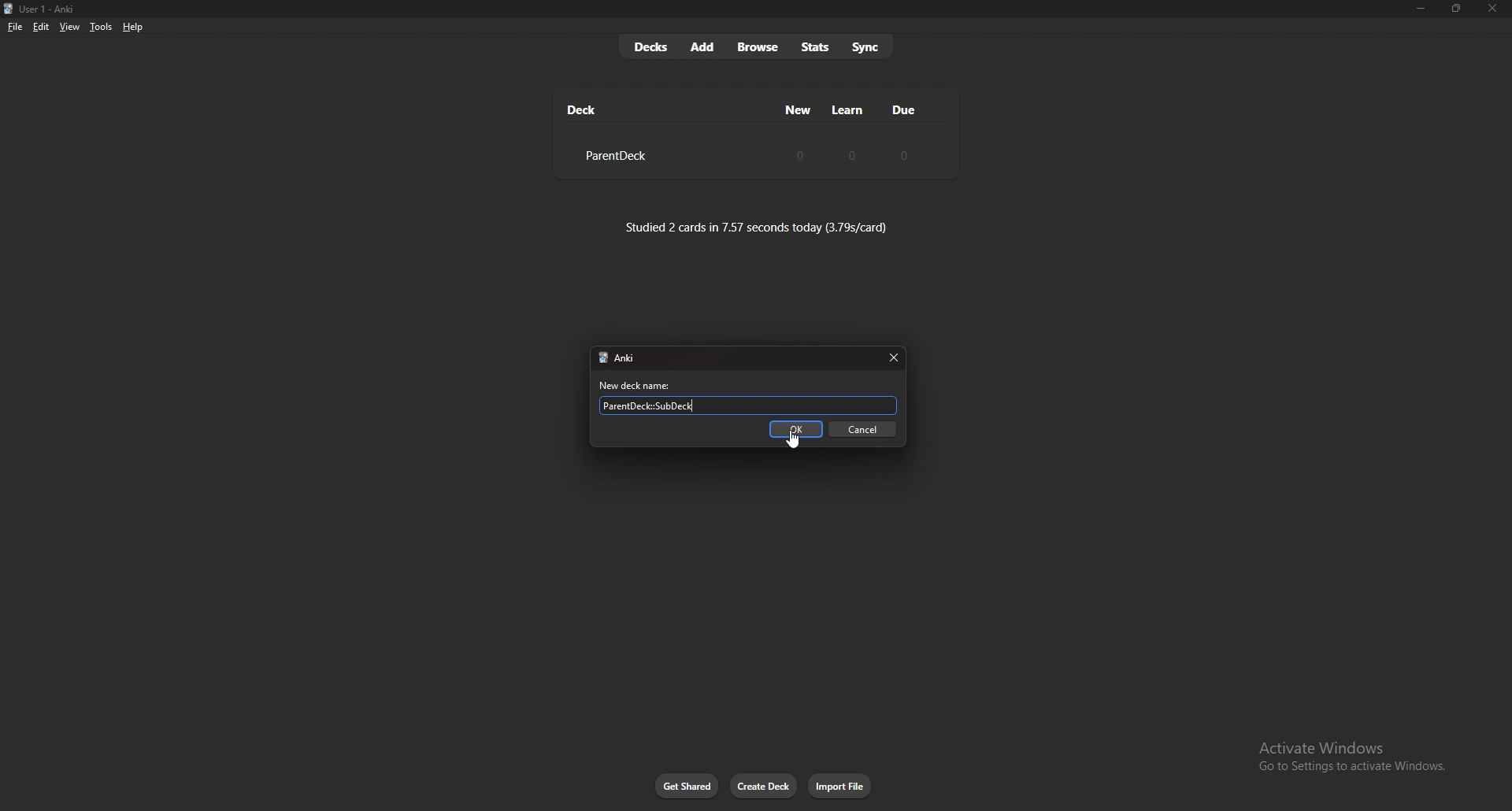  Describe the element at coordinates (613, 156) in the screenshot. I see `ParentDeck` at that location.